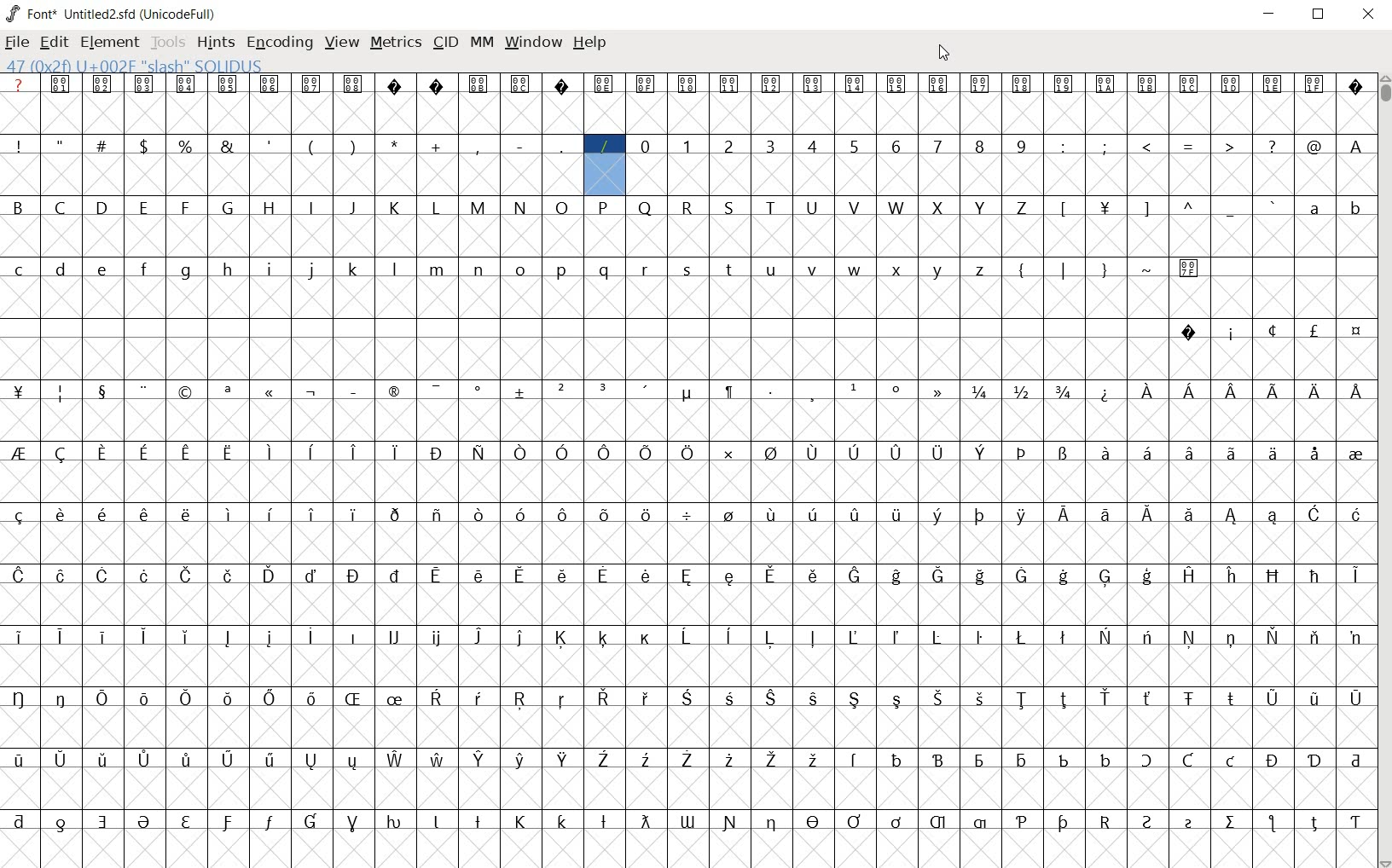 The height and width of the screenshot is (868, 1392). I want to click on glyph, so click(519, 638).